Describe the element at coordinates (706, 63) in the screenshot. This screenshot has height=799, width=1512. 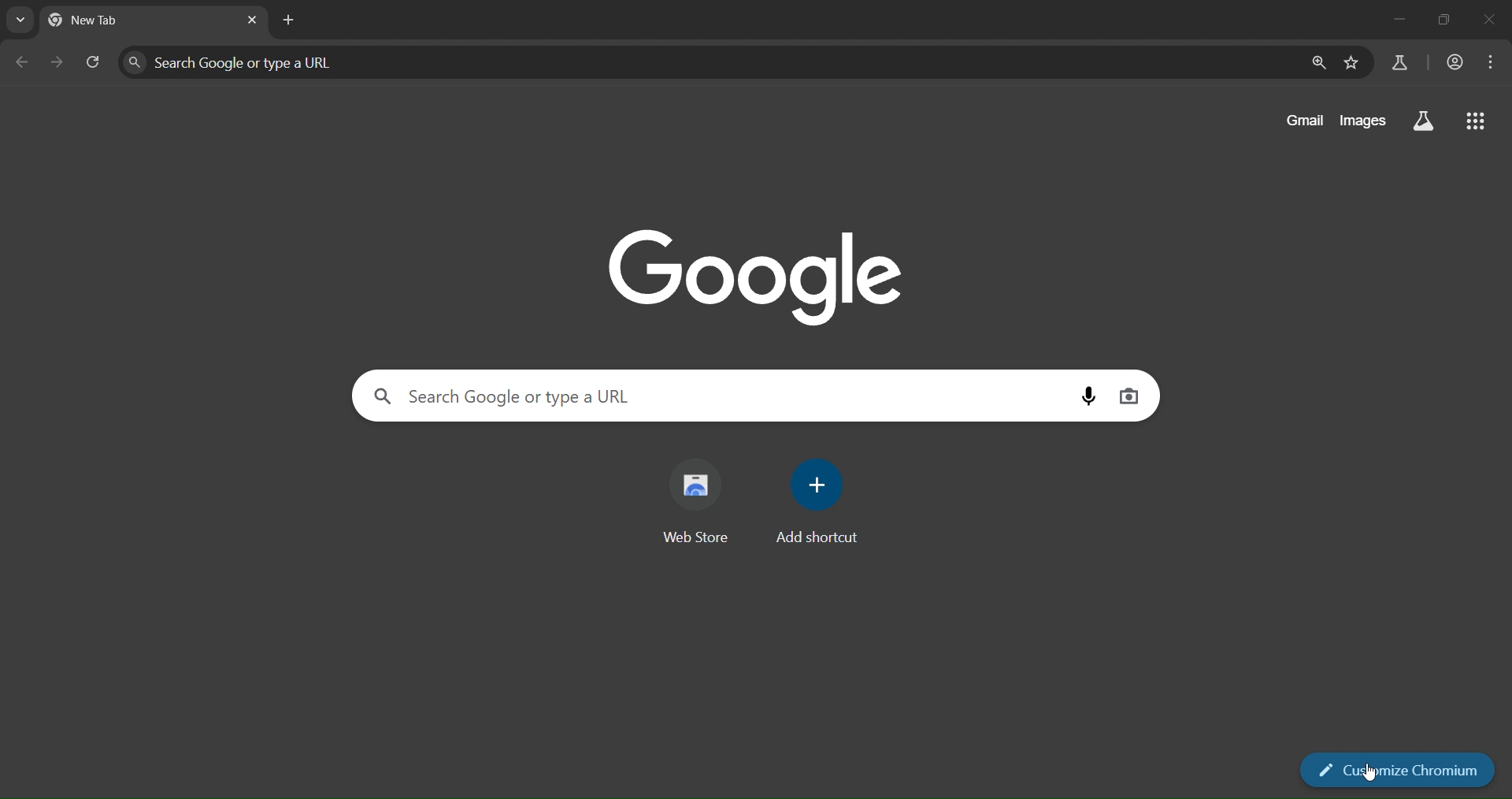
I see `search panel` at that location.